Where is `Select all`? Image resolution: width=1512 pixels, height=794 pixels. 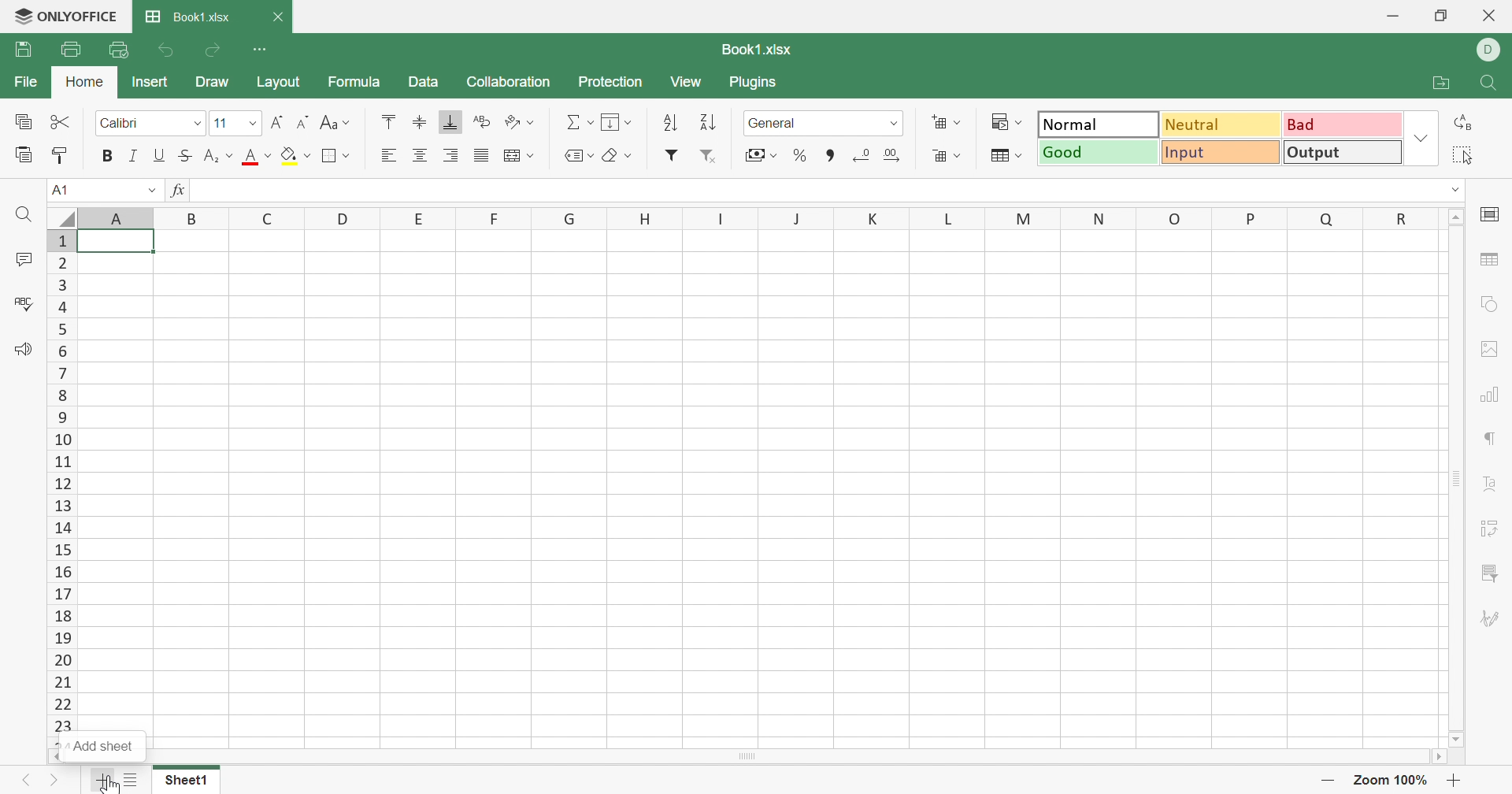
Select all is located at coordinates (60, 217).